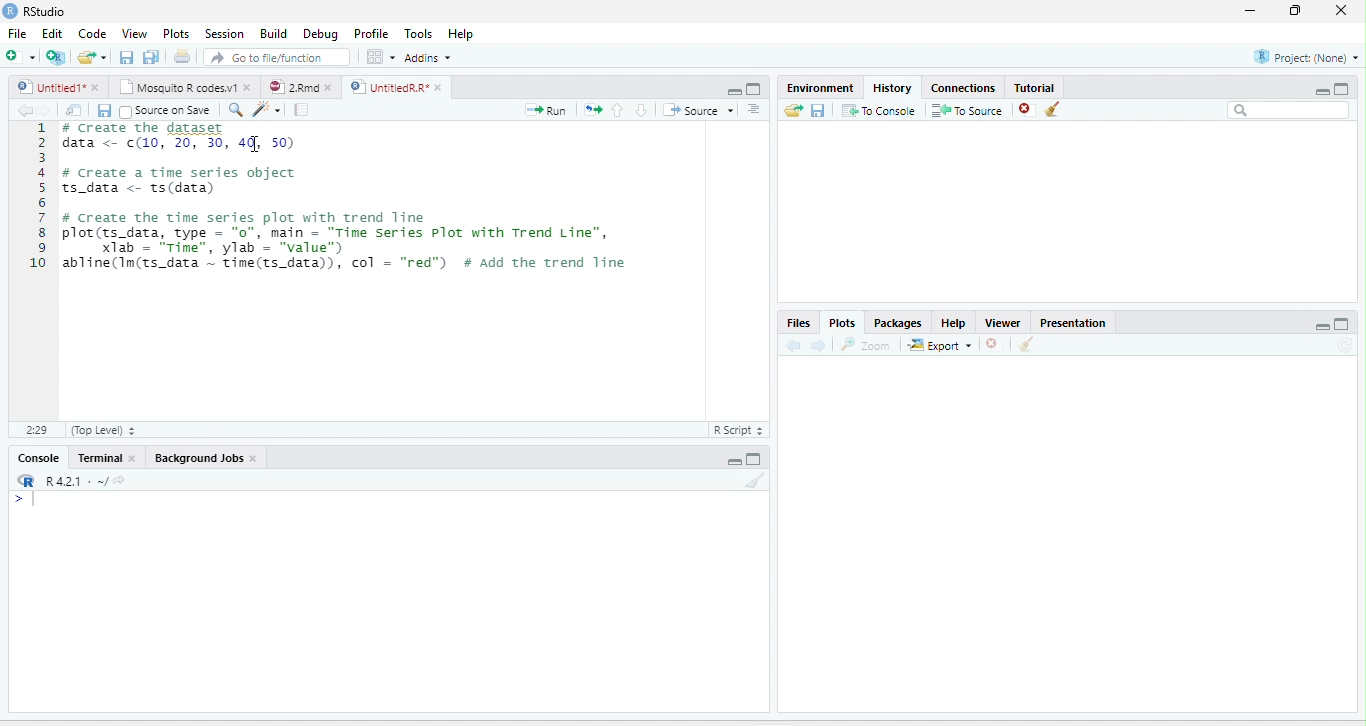  I want to click on History, so click(893, 87).